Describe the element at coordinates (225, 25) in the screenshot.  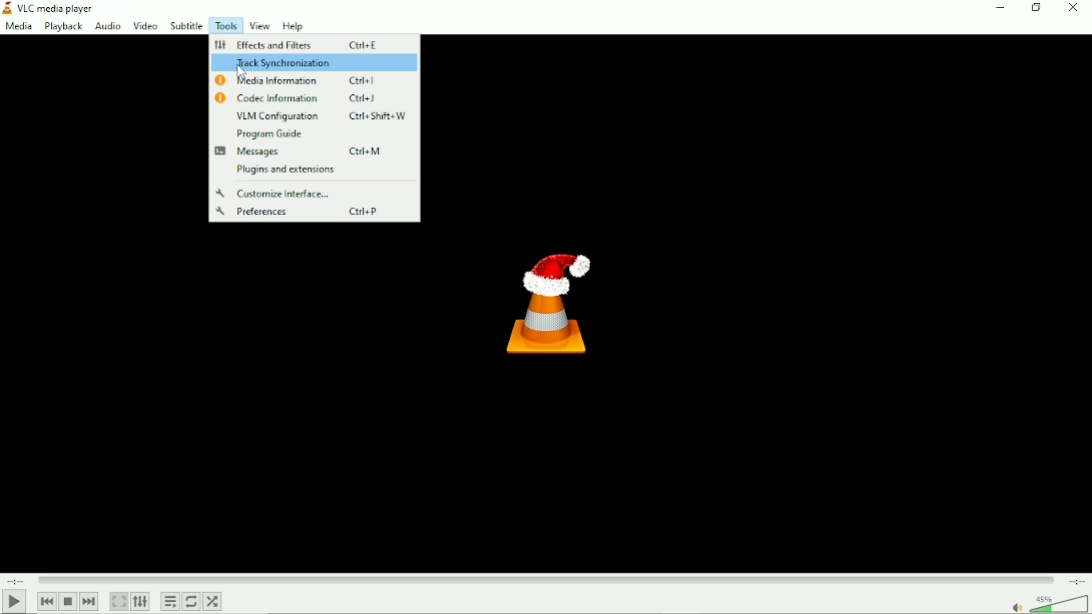
I see `Tools` at that location.